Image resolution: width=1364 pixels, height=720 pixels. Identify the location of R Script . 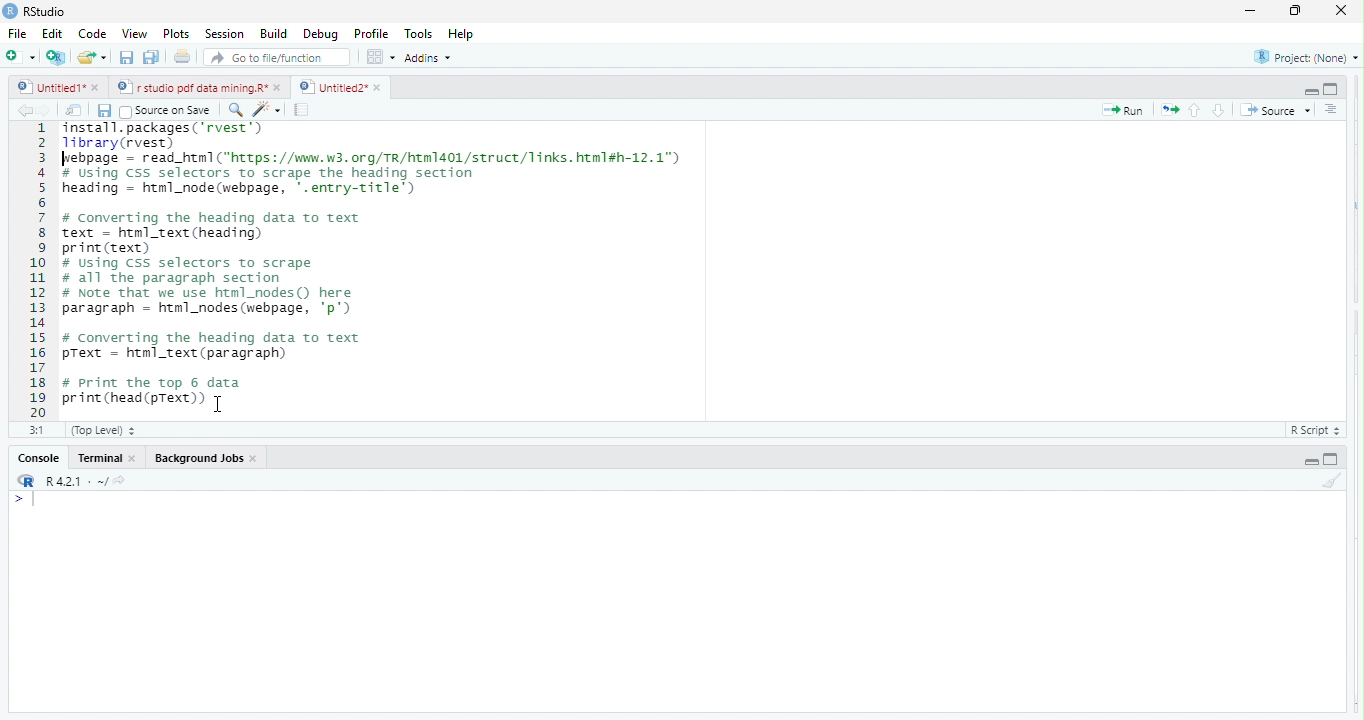
(1312, 431).